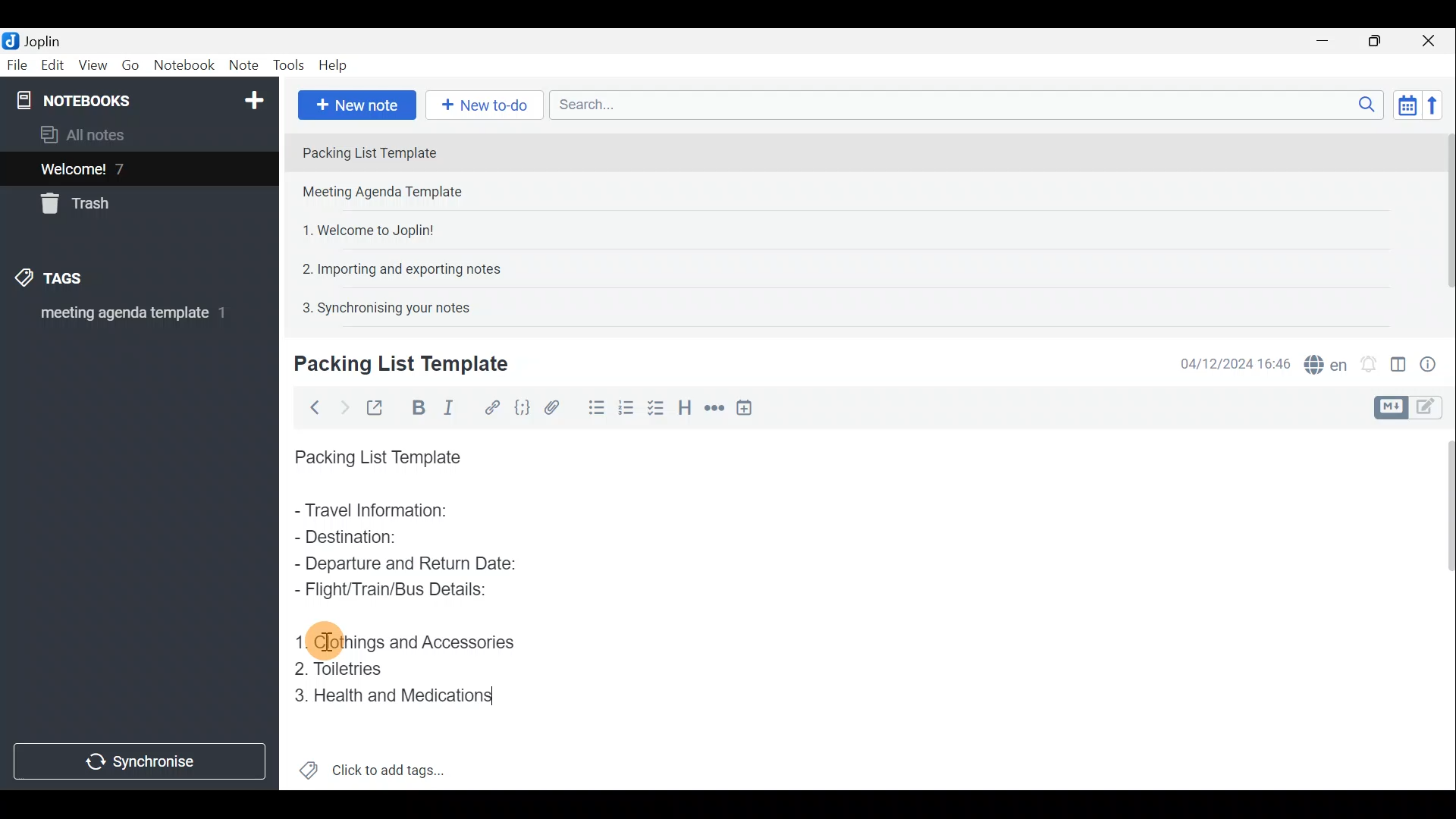 This screenshot has width=1456, height=819. I want to click on Edit, so click(49, 66).